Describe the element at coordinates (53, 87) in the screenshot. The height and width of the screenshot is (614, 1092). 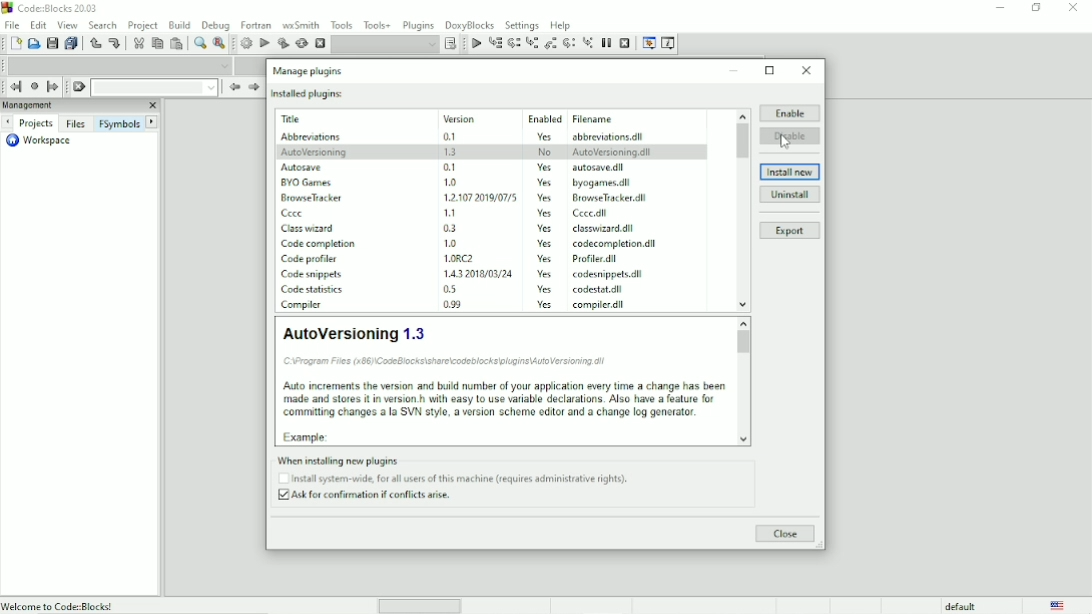
I see `Jump forward` at that location.